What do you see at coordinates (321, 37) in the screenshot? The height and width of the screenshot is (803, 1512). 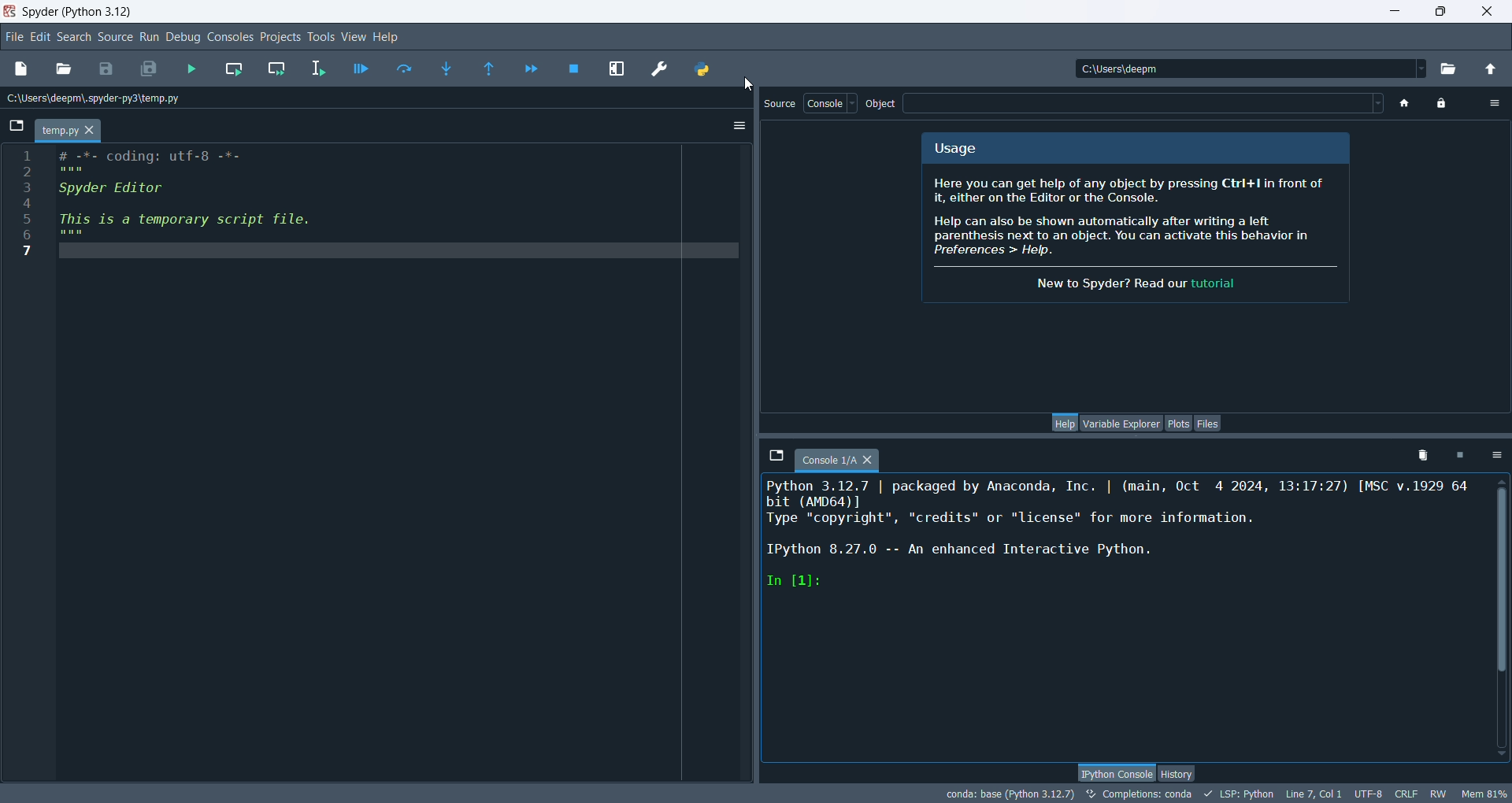 I see `tools` at bounding box center [321, 37].